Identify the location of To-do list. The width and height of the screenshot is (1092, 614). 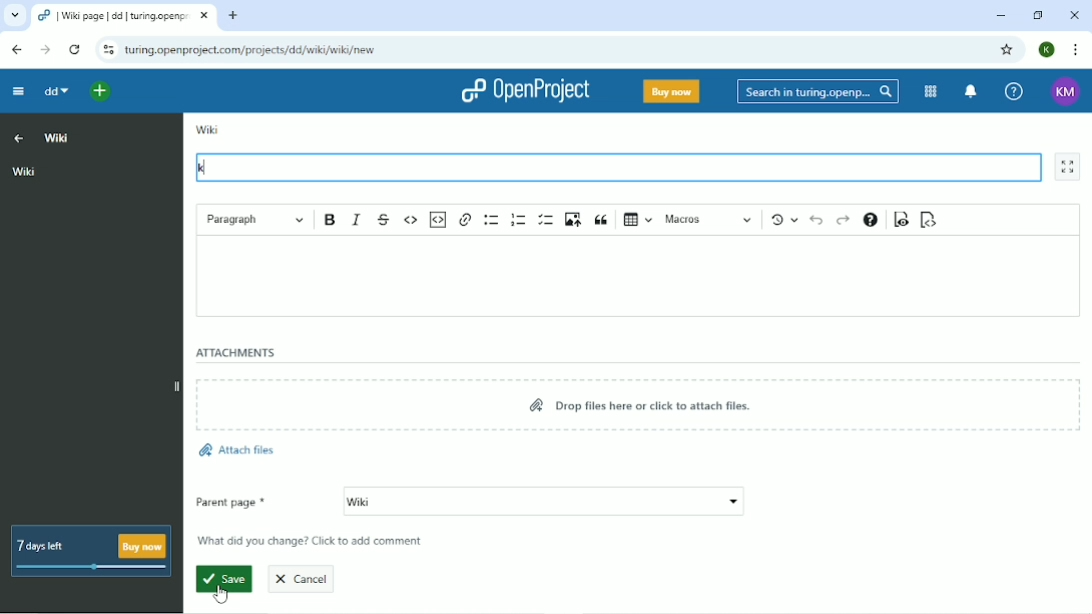
(546, 219).